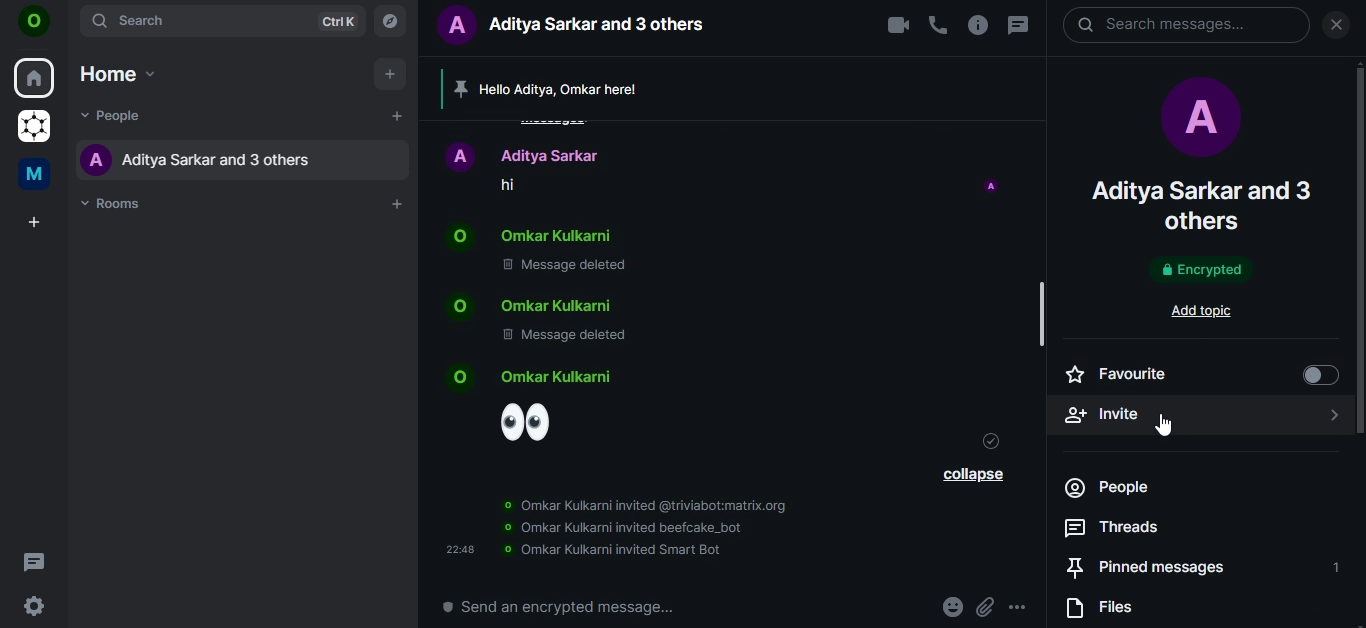  I want to click on people, so click(1134, 488).